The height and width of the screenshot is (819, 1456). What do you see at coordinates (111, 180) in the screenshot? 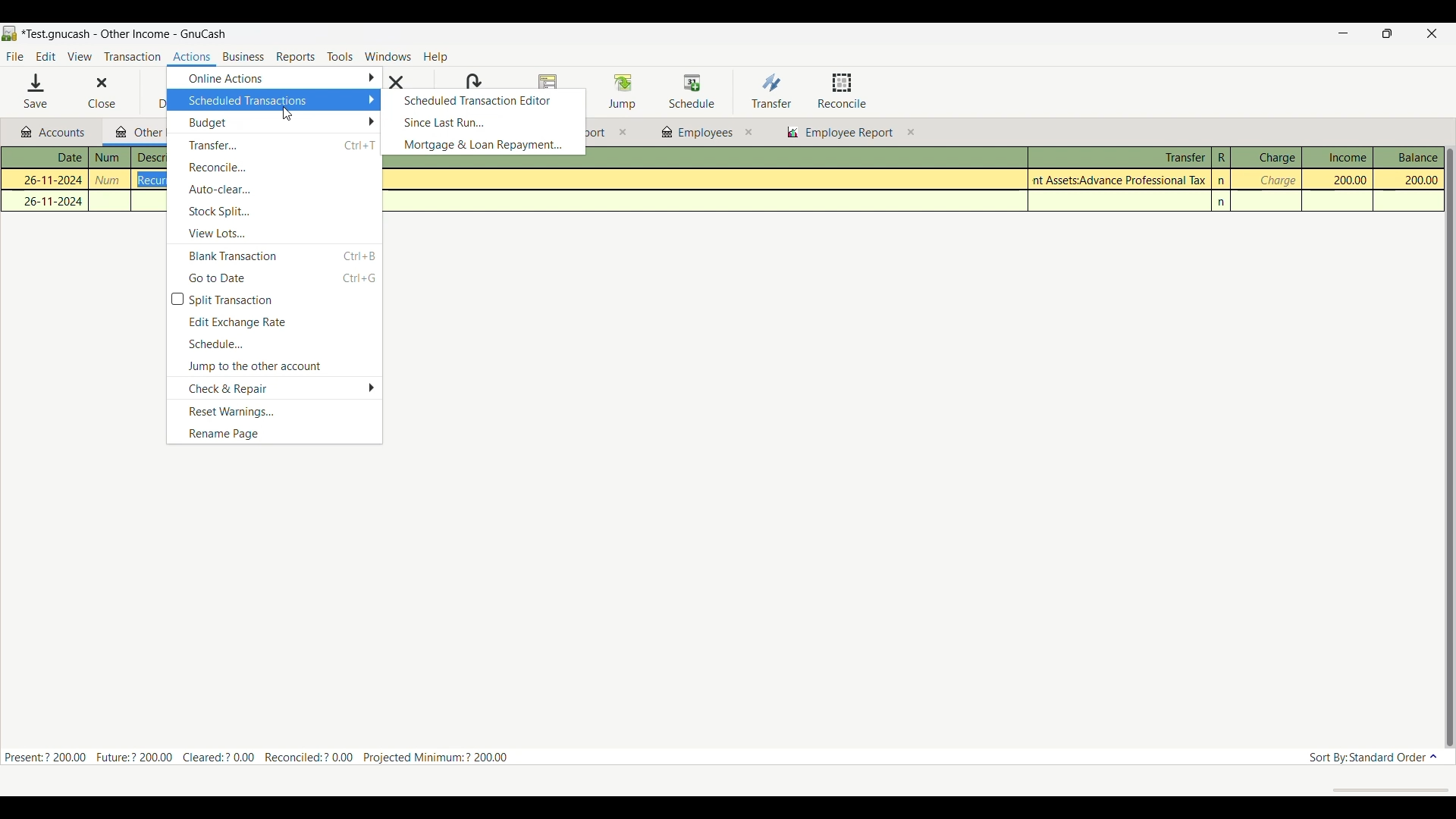
I see `num` at bounding box center [111, 180].